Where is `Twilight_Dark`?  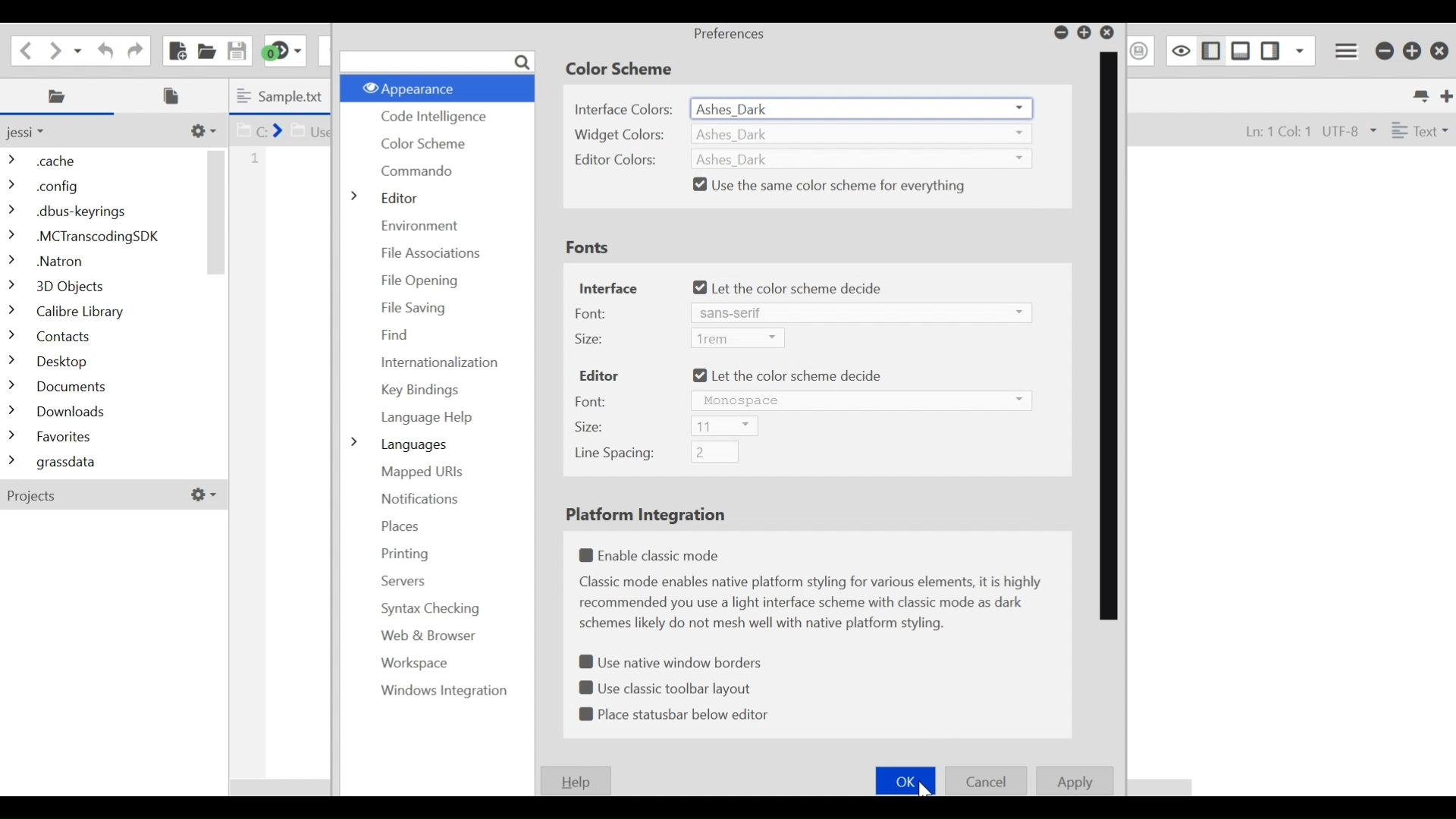
Twilight_Dark is located at coordinates (862, 285).